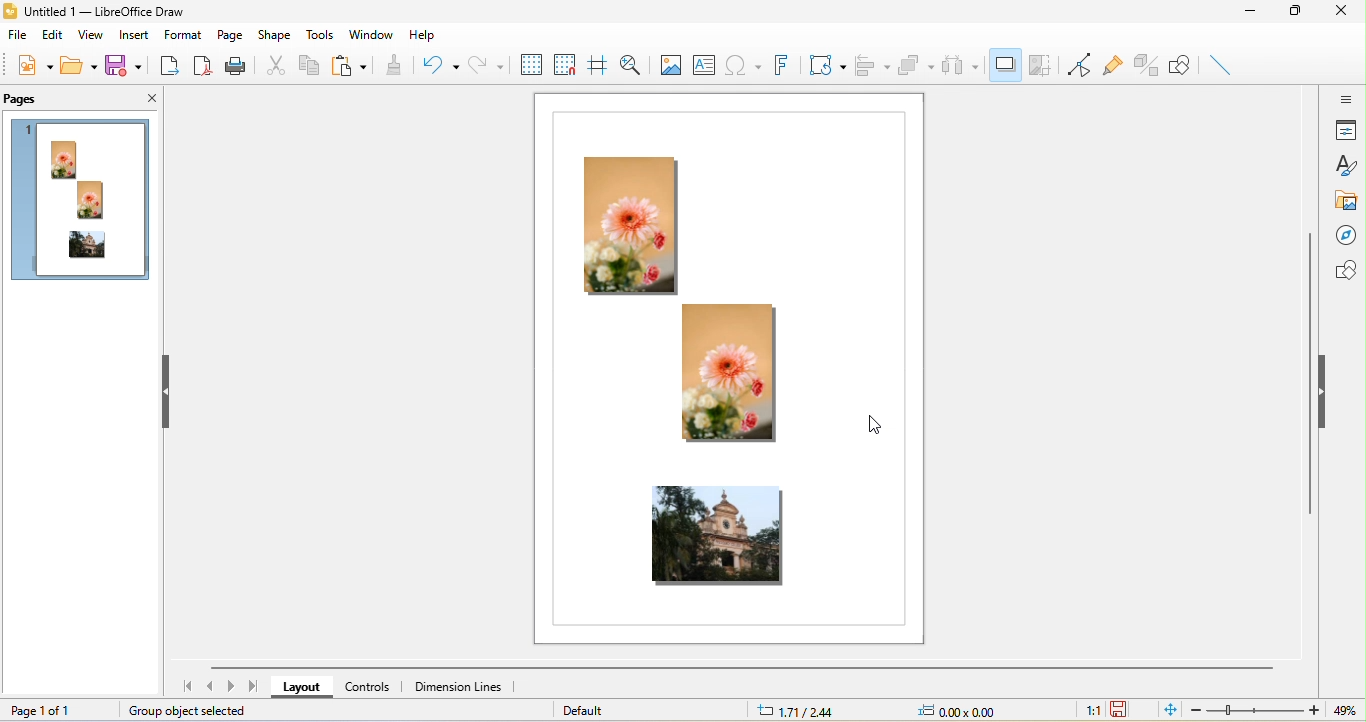 The height and width of the screenshot is (722, 1366). What do you see at coordinates (634, 65) in the screenshot?
I see `zoom and pan` at bounding box center [634, 65].